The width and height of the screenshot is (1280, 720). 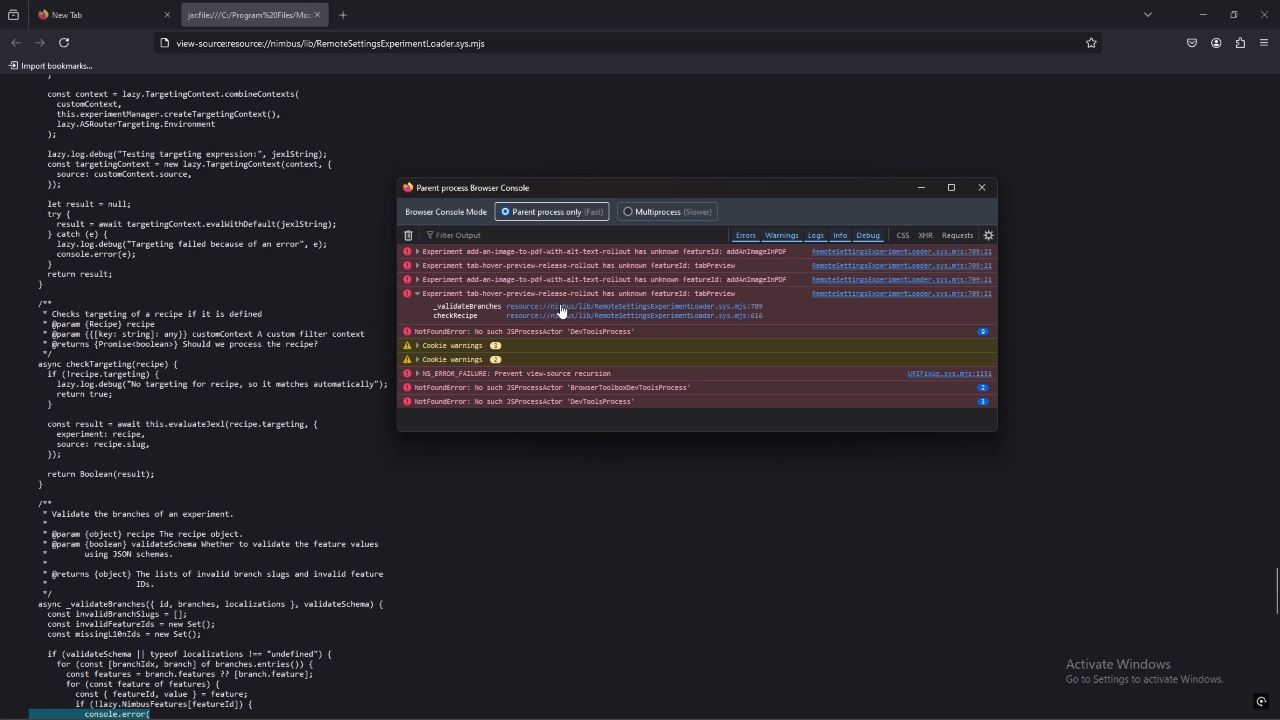 What do you see at coordinates (205, 402) in the screenshot?
I see `source code` at bounding box center [205, 402].